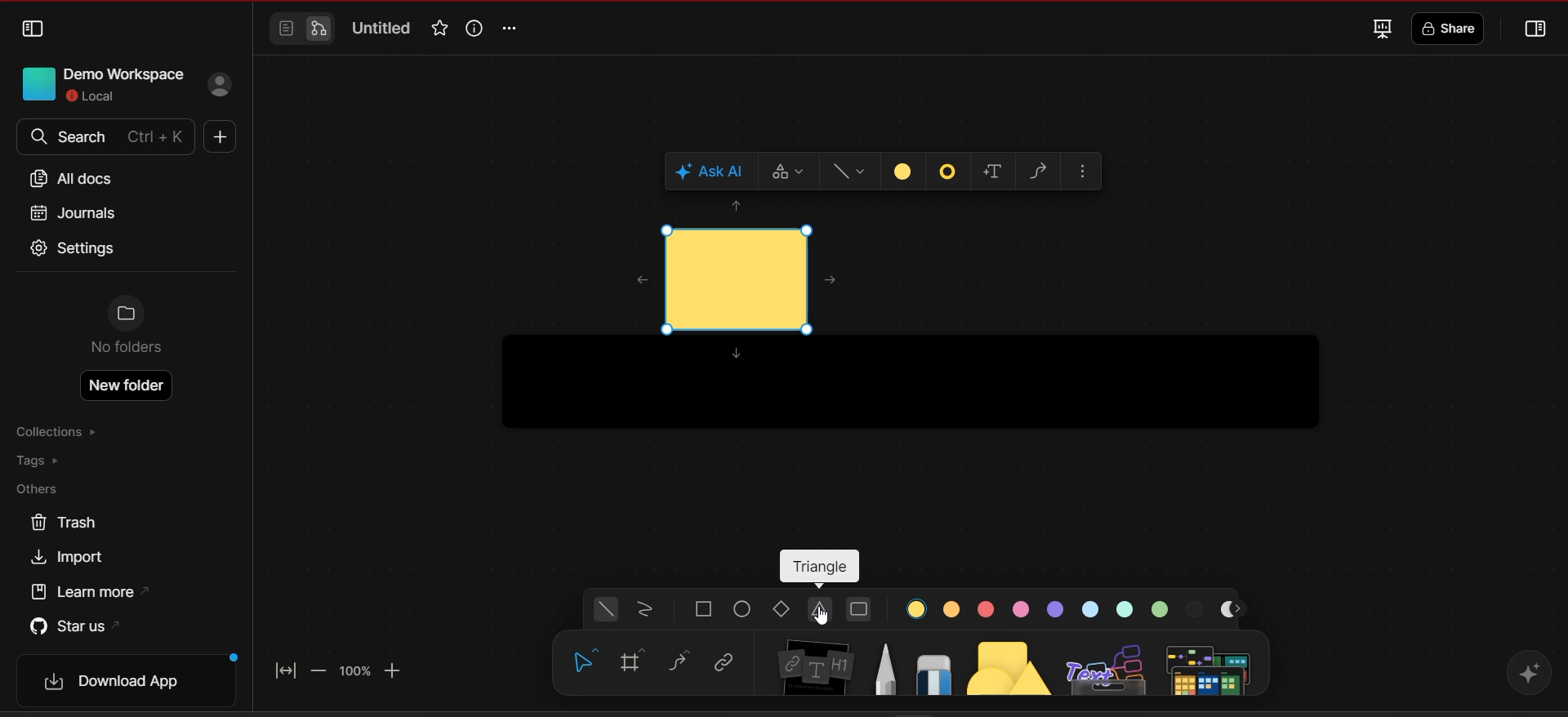 This screenshot has width=1568, height=717. What do you see at coordinates (128, 385) in the screenshot?
I see `new folder` at bounding box center [128, 385].